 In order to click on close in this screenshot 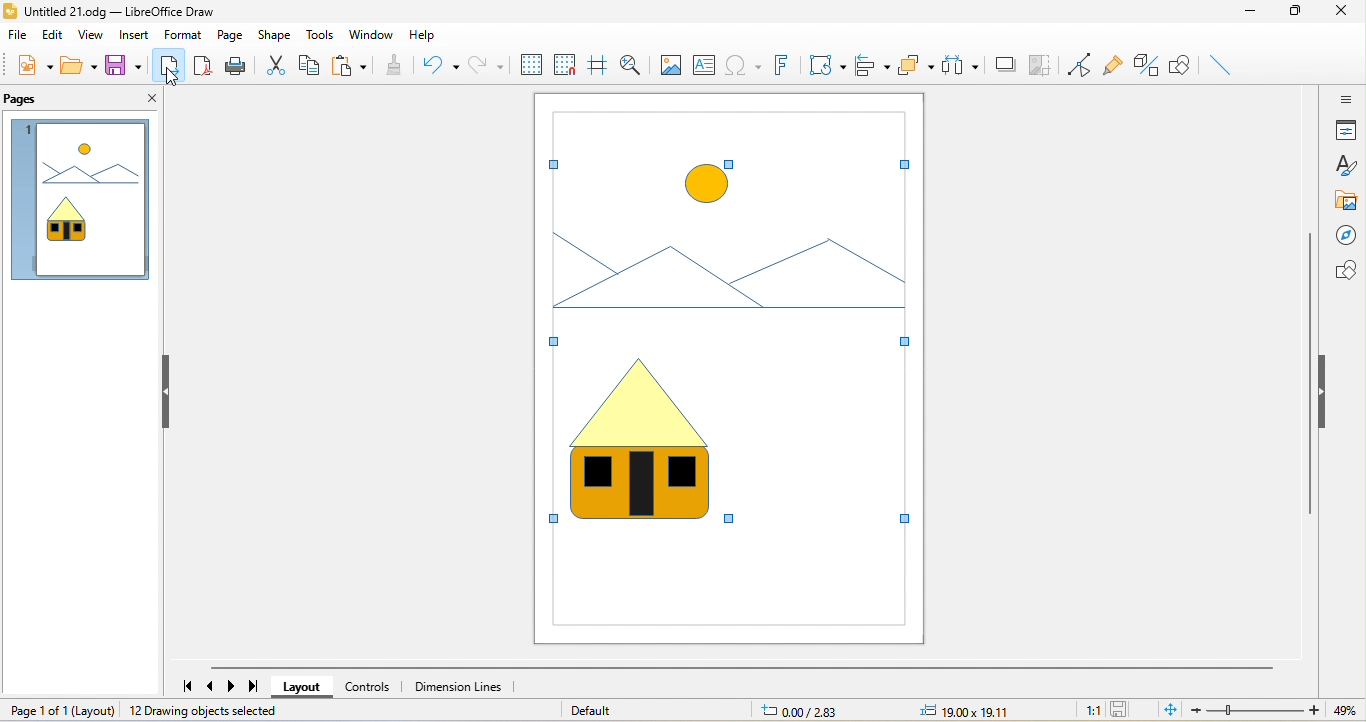, I will do `click(1344, 12)`.